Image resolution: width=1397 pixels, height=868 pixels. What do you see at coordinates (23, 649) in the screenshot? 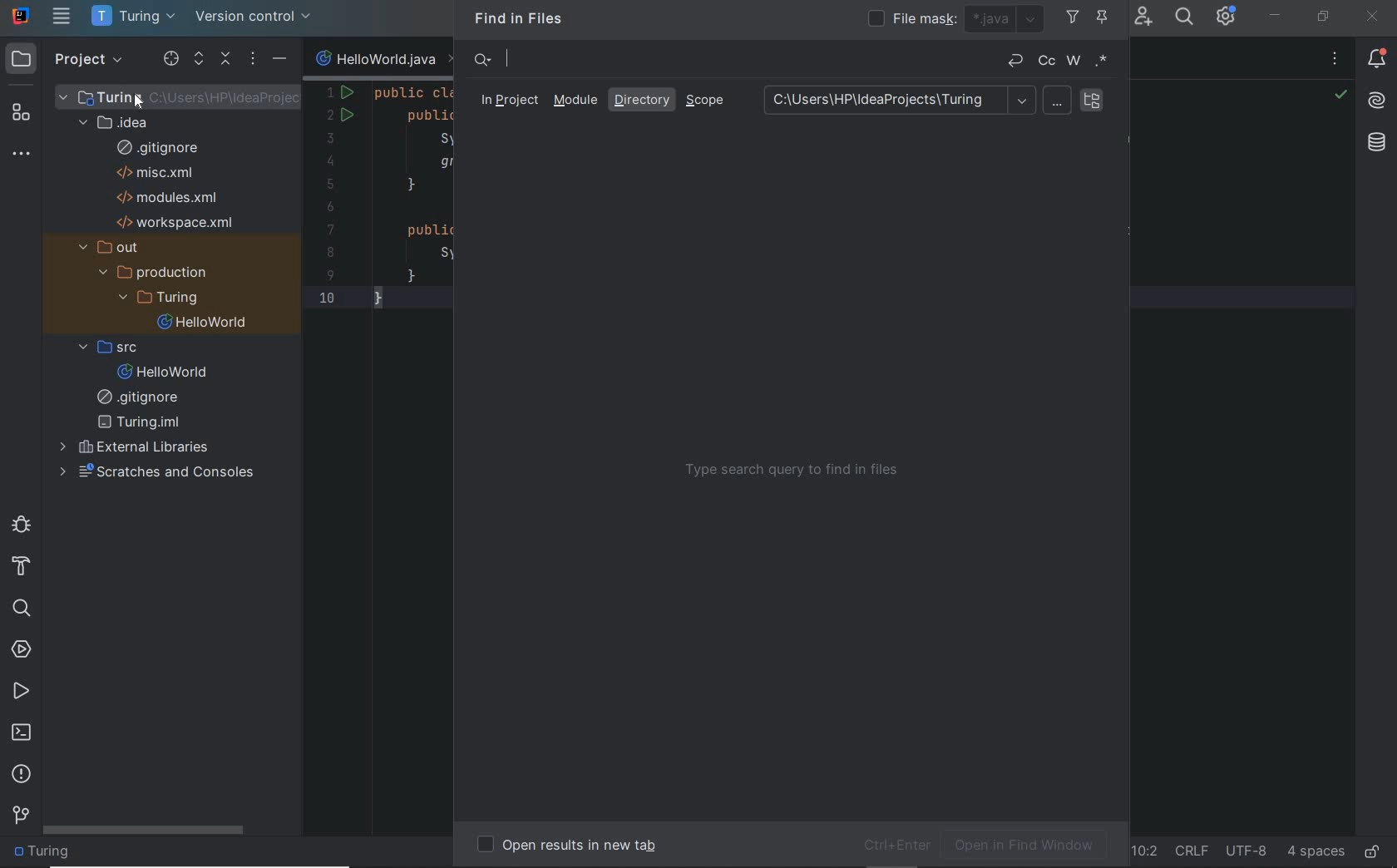
I see `services` at bounding box center [23, 649].